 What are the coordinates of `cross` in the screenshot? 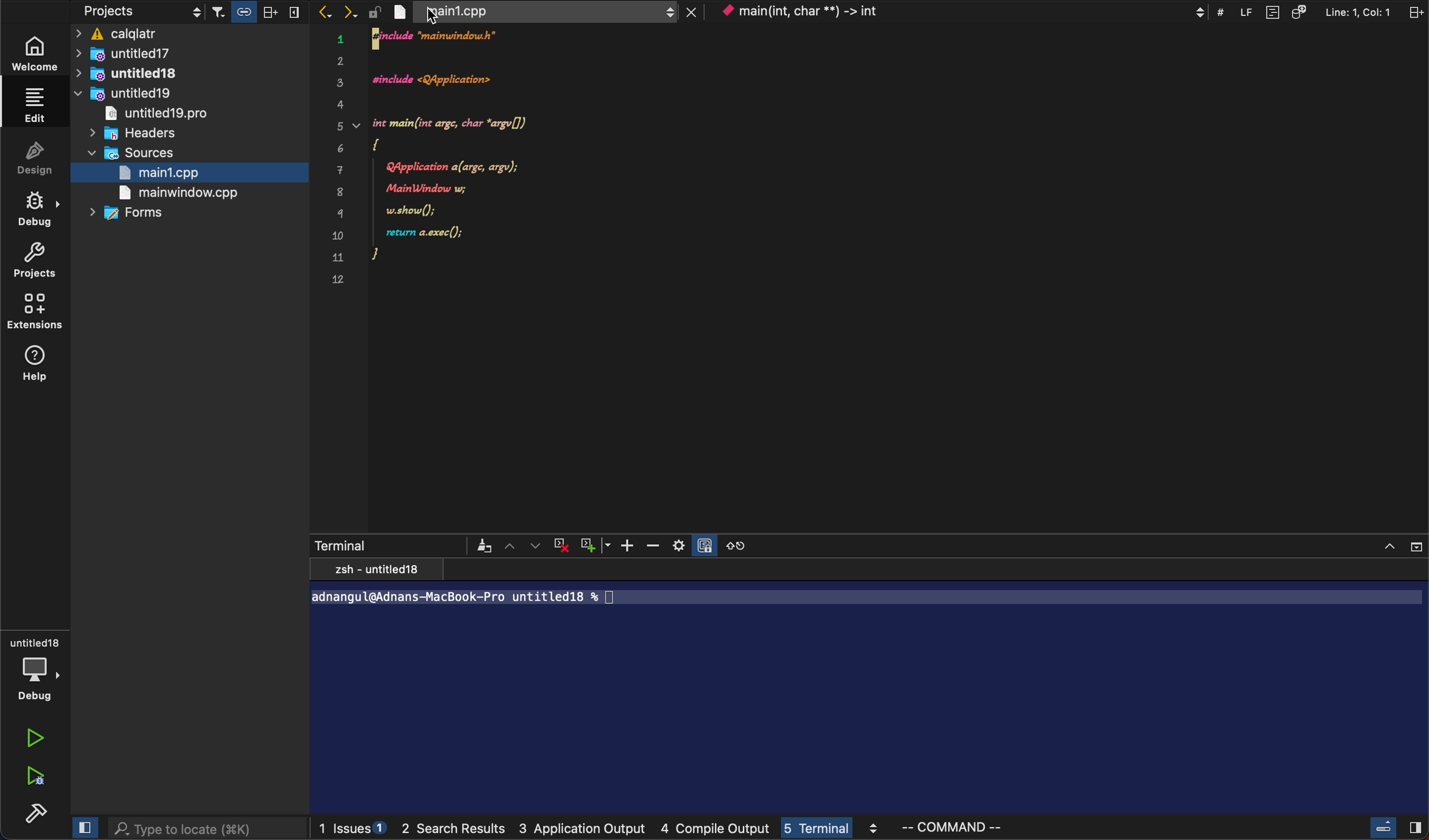 It's located at (562, 546).